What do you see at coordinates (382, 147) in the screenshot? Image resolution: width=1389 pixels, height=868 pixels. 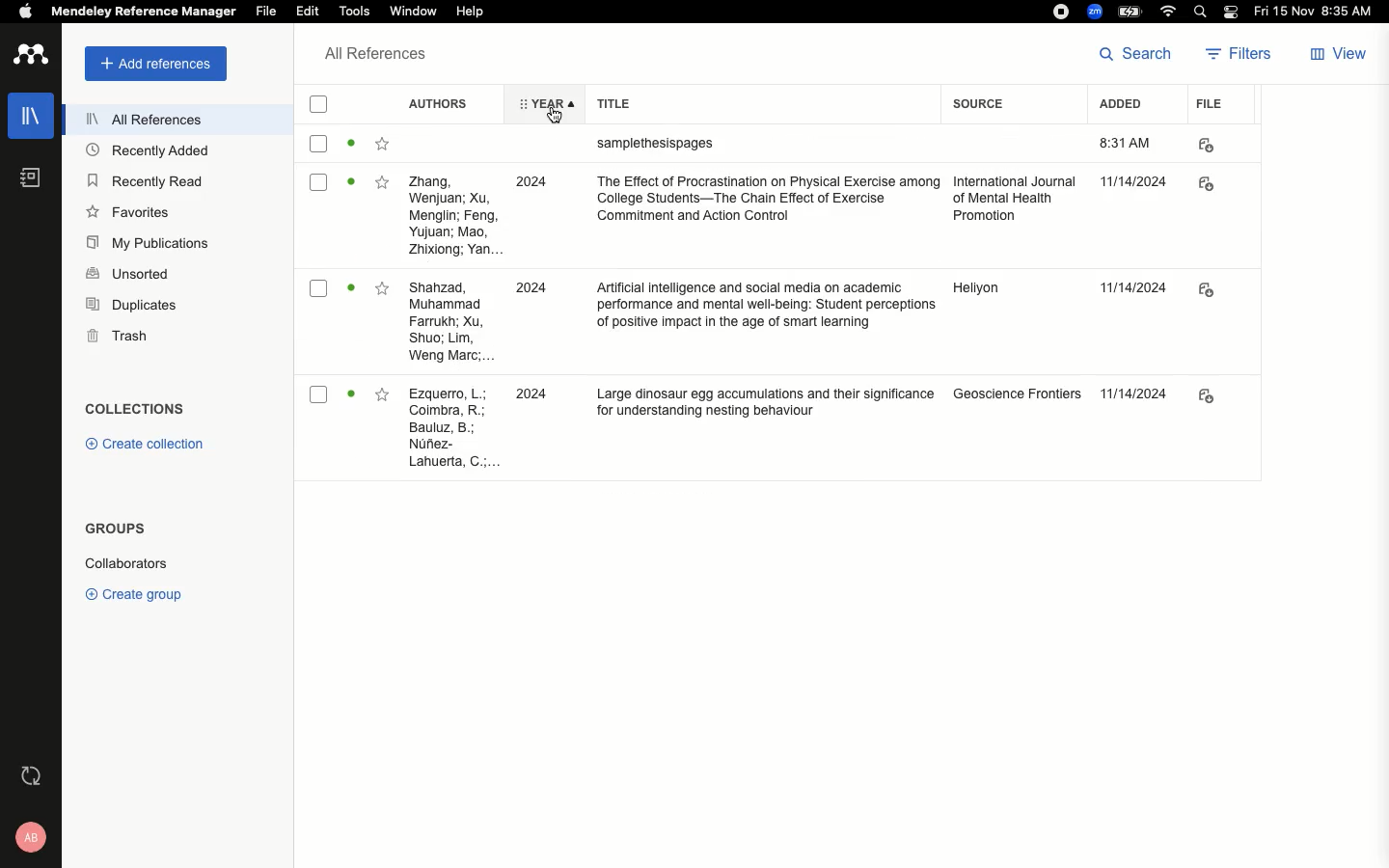 I see `mark as favorite` at bounding box center [382, 147].